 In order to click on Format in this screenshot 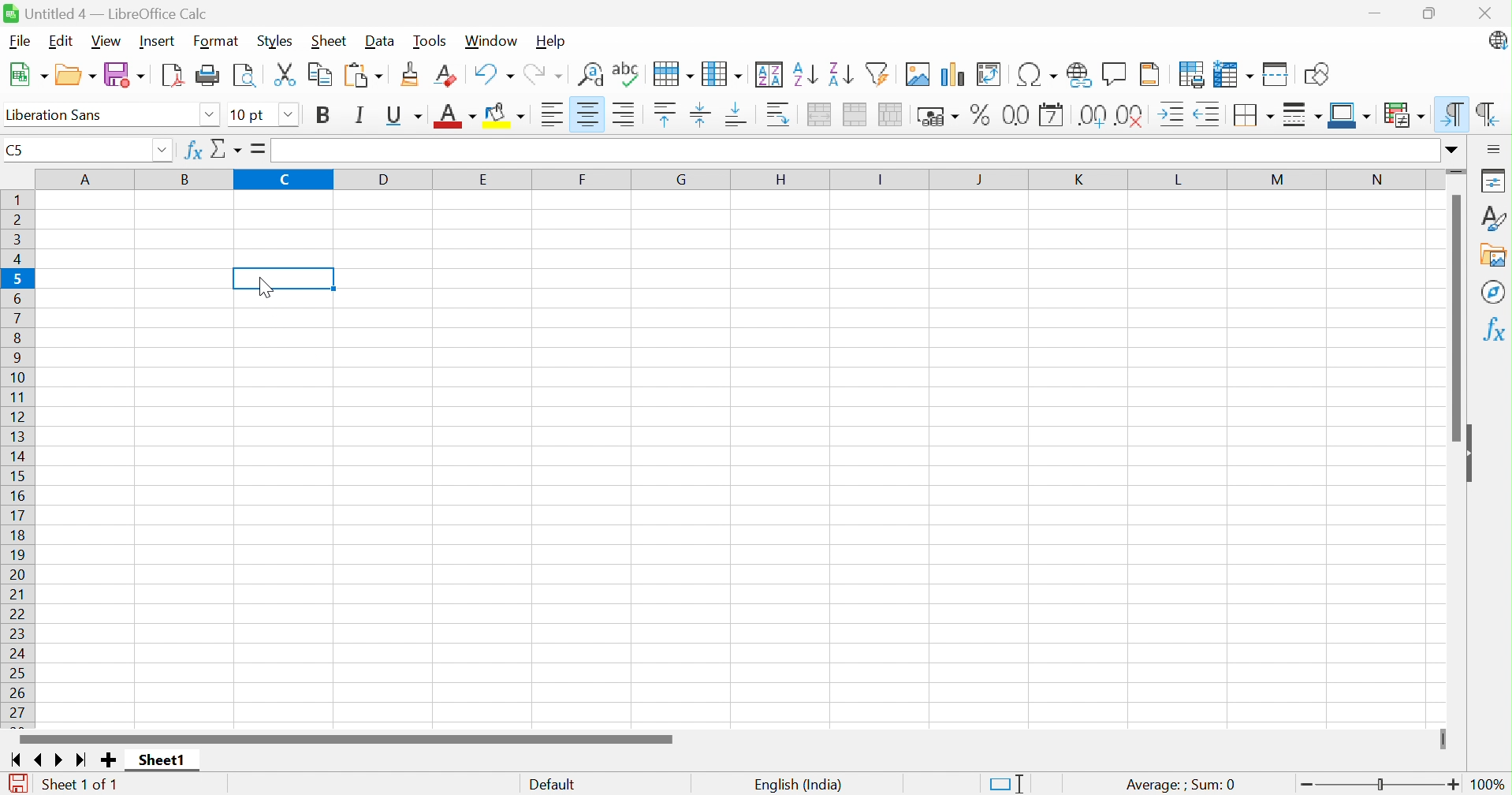, I will do `click(217, 40)`.